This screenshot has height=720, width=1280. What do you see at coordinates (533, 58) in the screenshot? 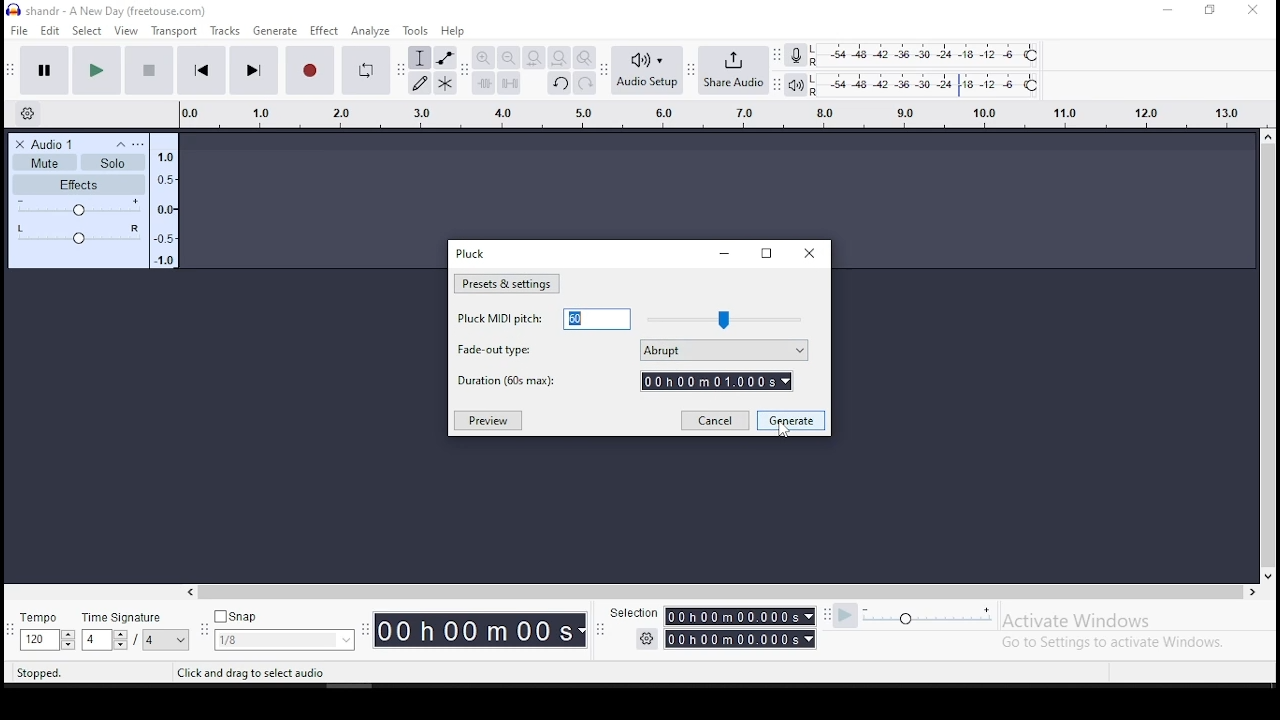
I see `fit selection to width` at bounding box center [533, 58].